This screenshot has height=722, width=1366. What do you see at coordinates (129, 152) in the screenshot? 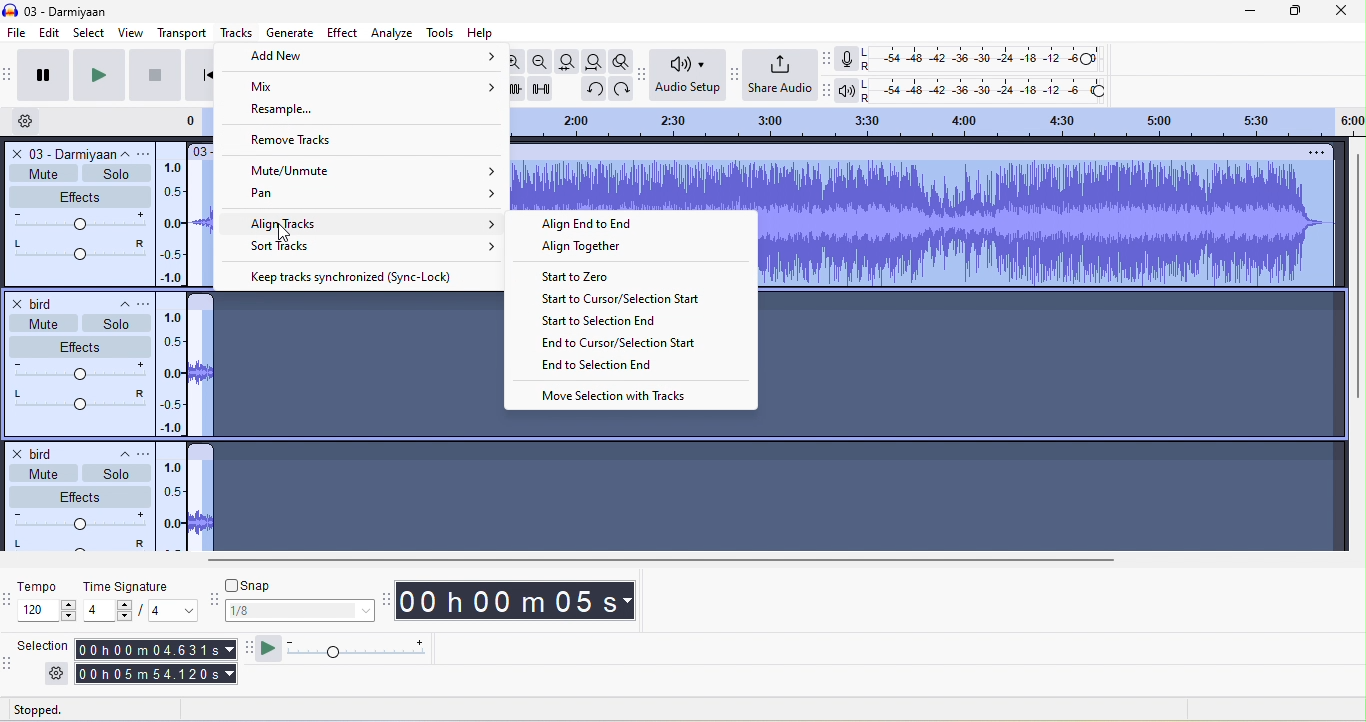
I see `collapse` at bounding box center [129, 152].